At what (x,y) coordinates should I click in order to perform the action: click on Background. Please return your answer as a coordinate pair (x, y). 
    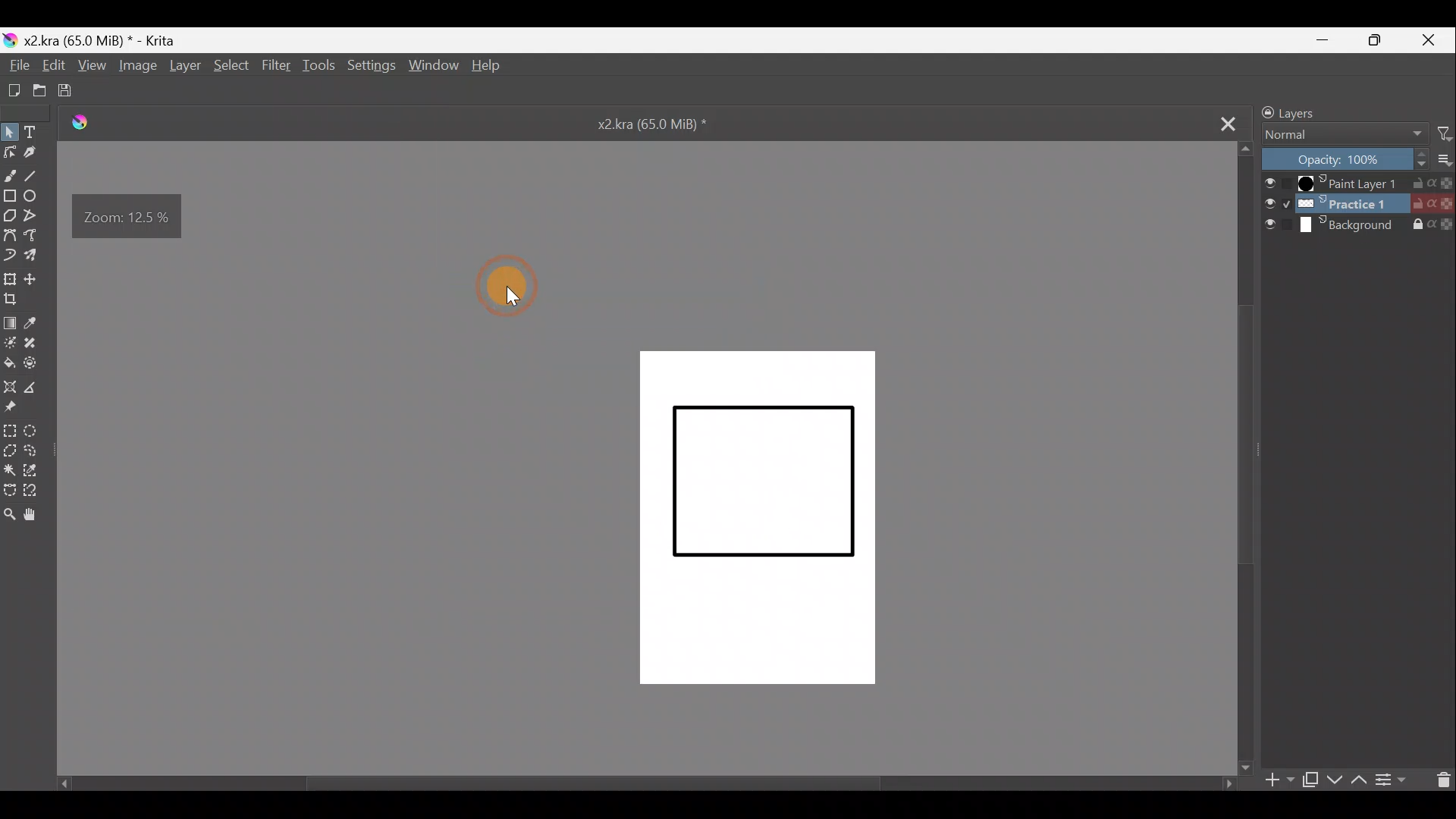
    Looking at the image, I should click on (1359, 224).